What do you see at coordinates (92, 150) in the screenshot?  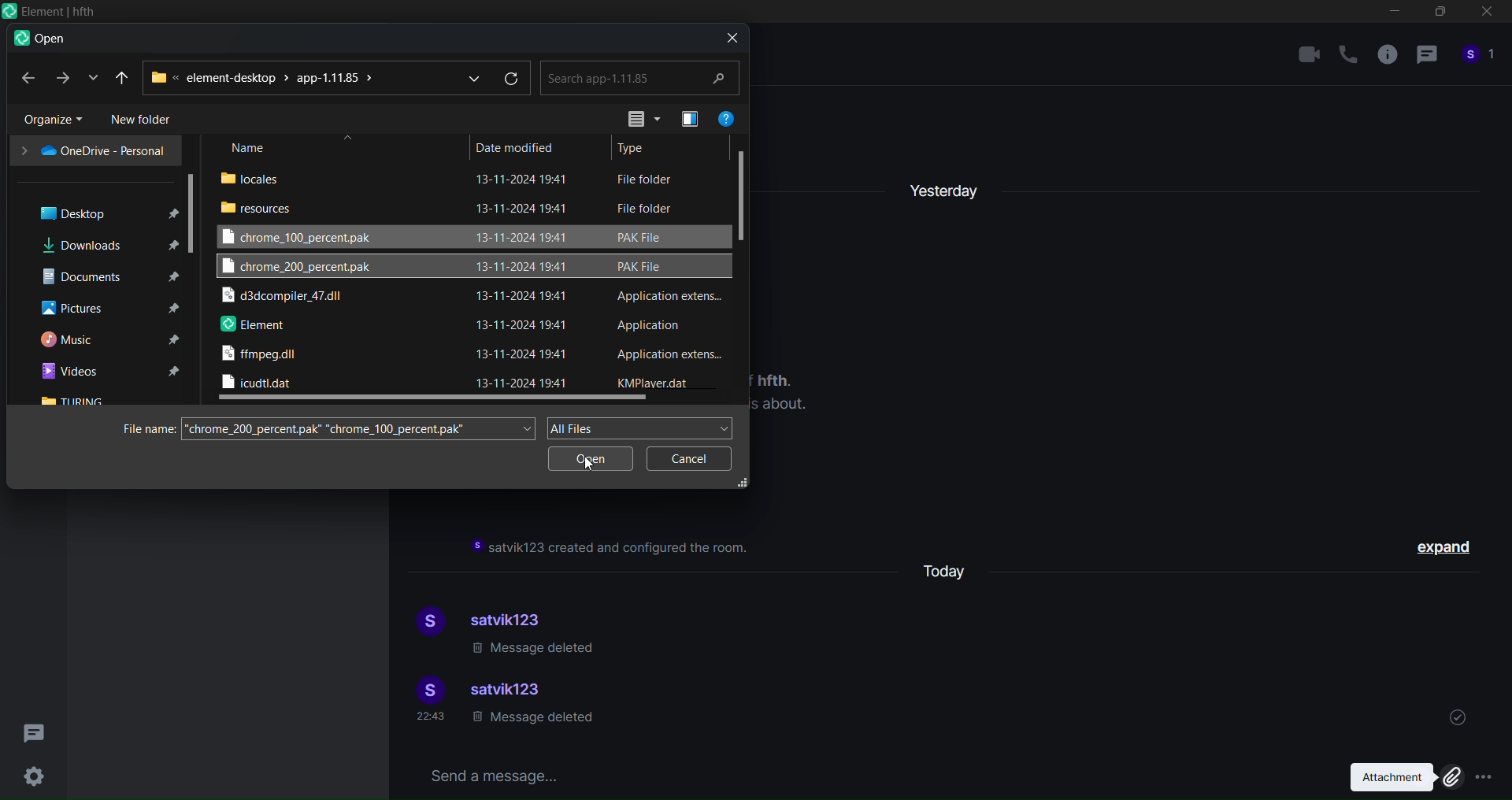 I see `one drive` at bounding box center [92, 150].